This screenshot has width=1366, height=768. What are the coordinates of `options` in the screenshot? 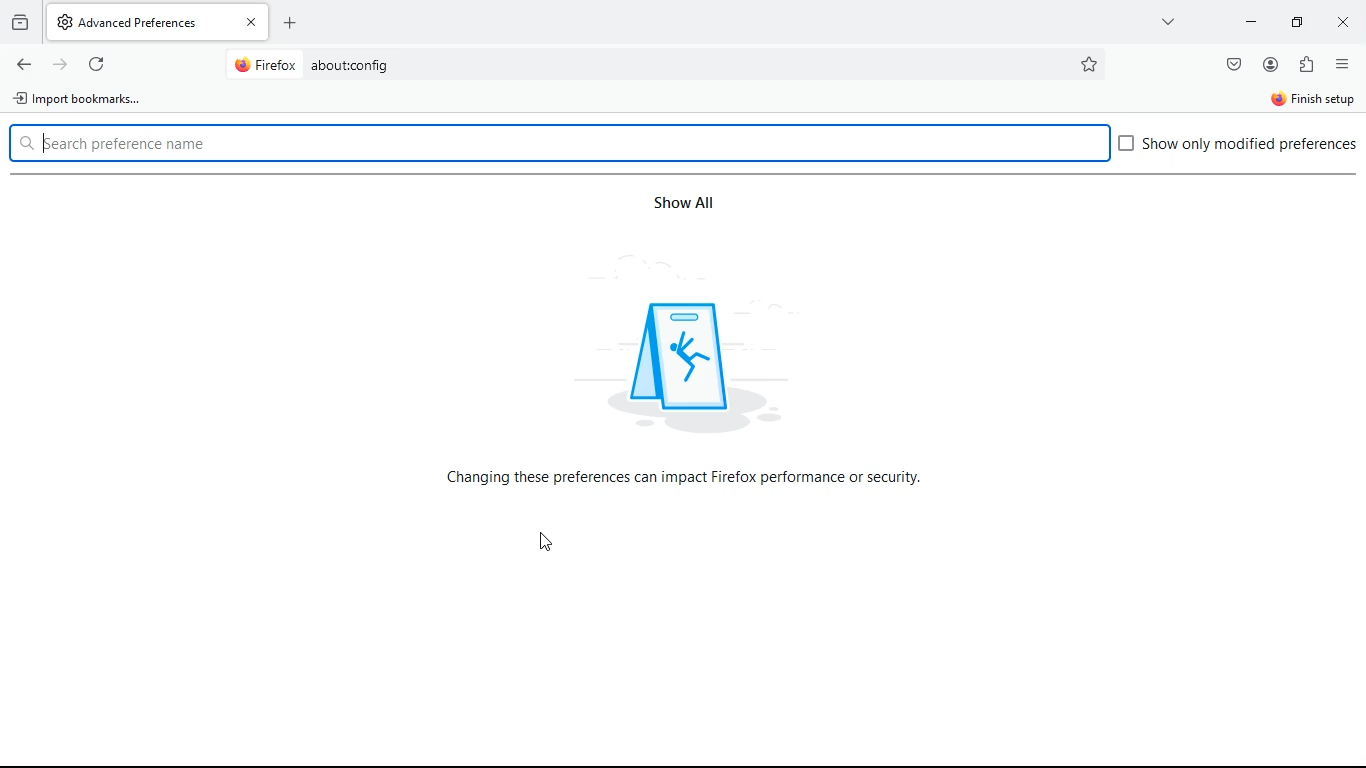 It's located at (1343, 67).